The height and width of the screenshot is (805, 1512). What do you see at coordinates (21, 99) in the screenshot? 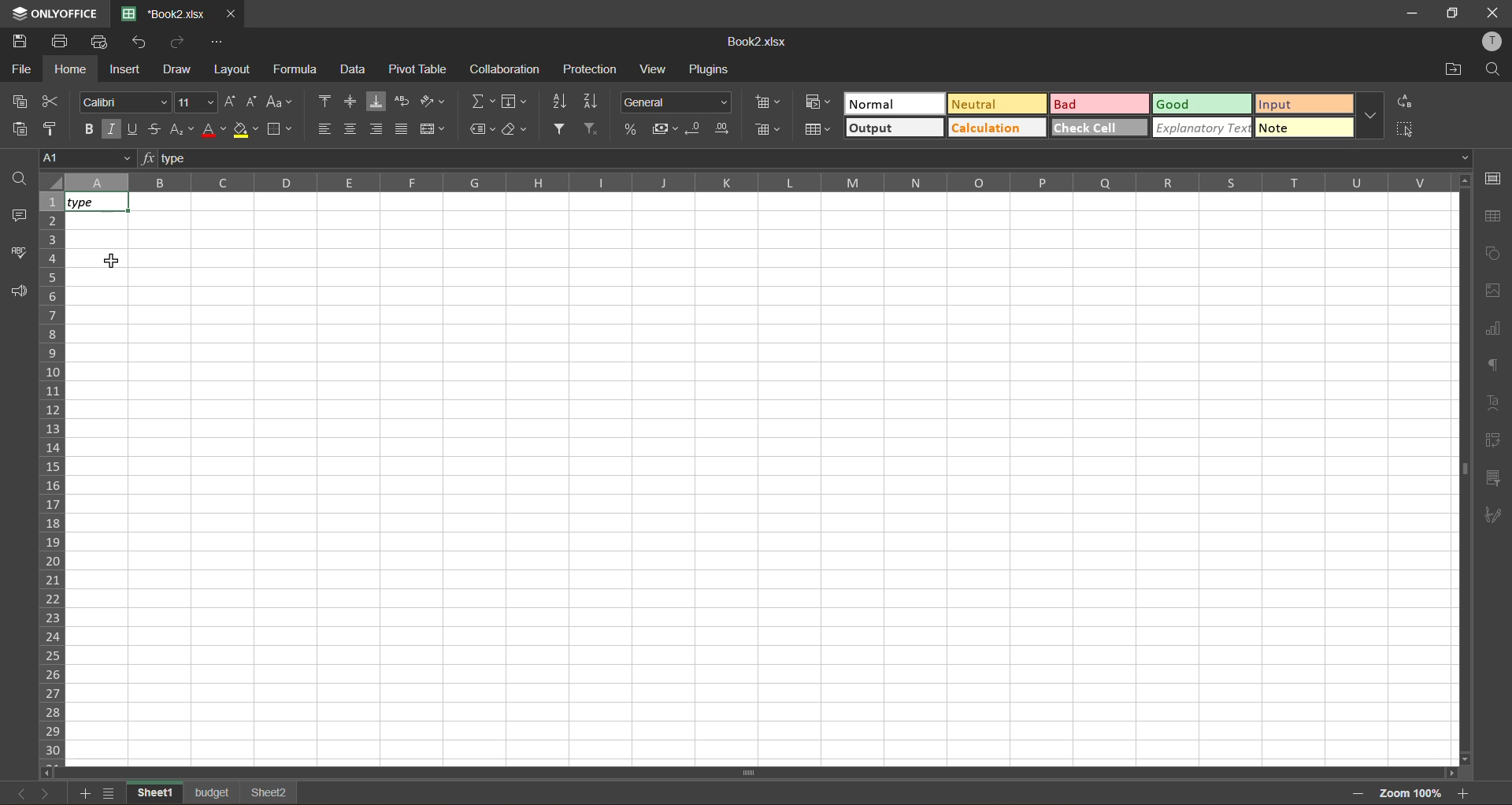
I see `copy` at bounding box center [21, 99].